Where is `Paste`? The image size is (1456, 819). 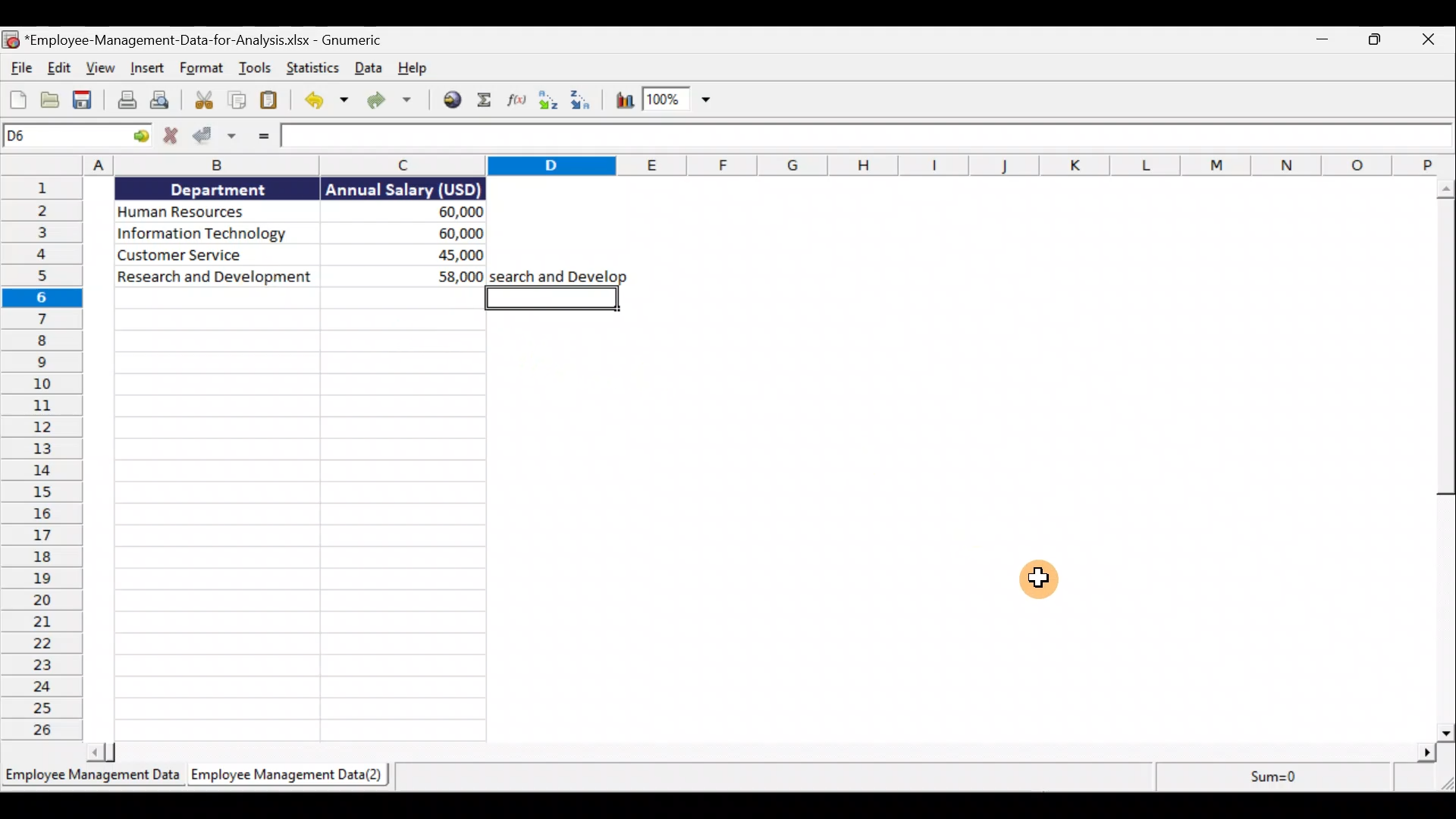 Paste is located at coordinates (270, 99).